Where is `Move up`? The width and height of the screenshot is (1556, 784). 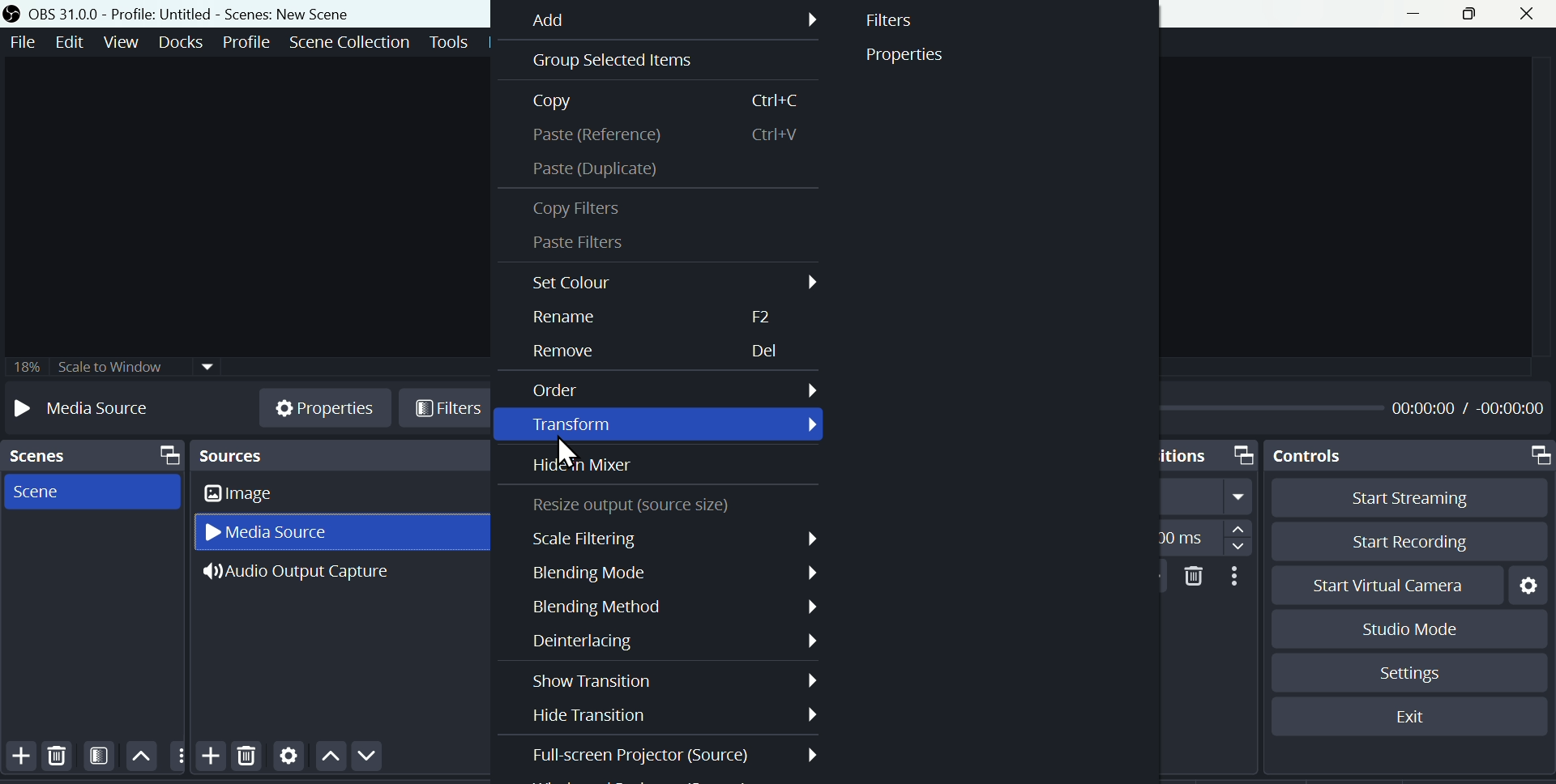
Move up is located at coordinates (327, 760).